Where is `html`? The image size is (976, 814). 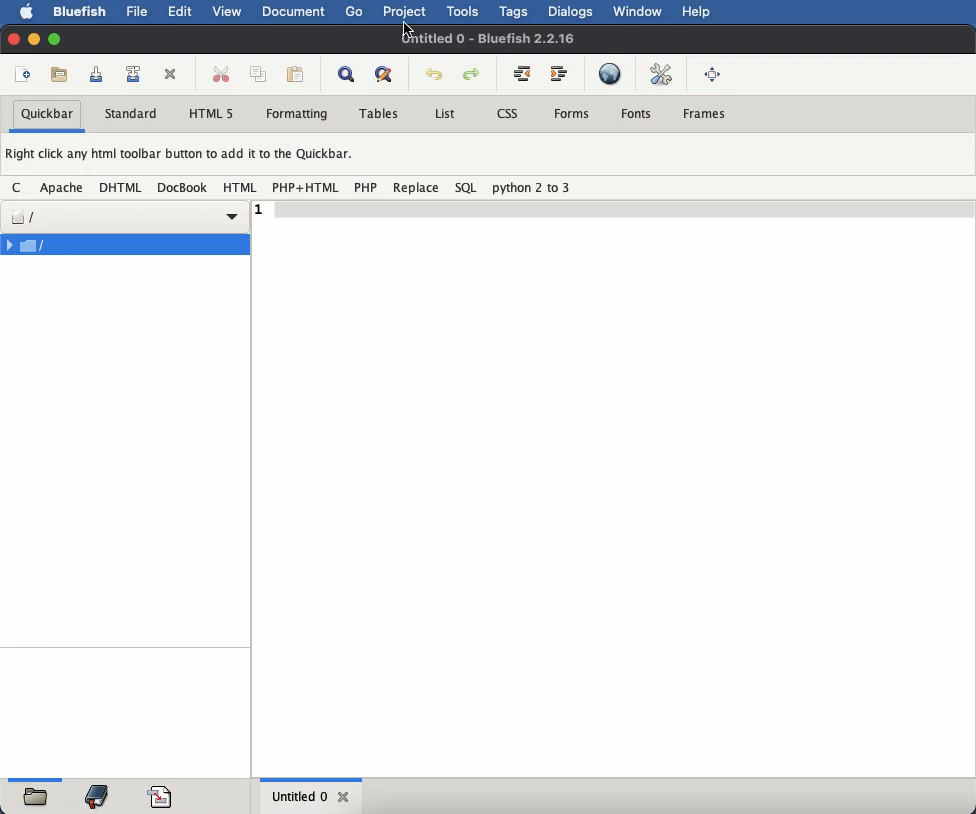 html is located at coordinates (240, 189).